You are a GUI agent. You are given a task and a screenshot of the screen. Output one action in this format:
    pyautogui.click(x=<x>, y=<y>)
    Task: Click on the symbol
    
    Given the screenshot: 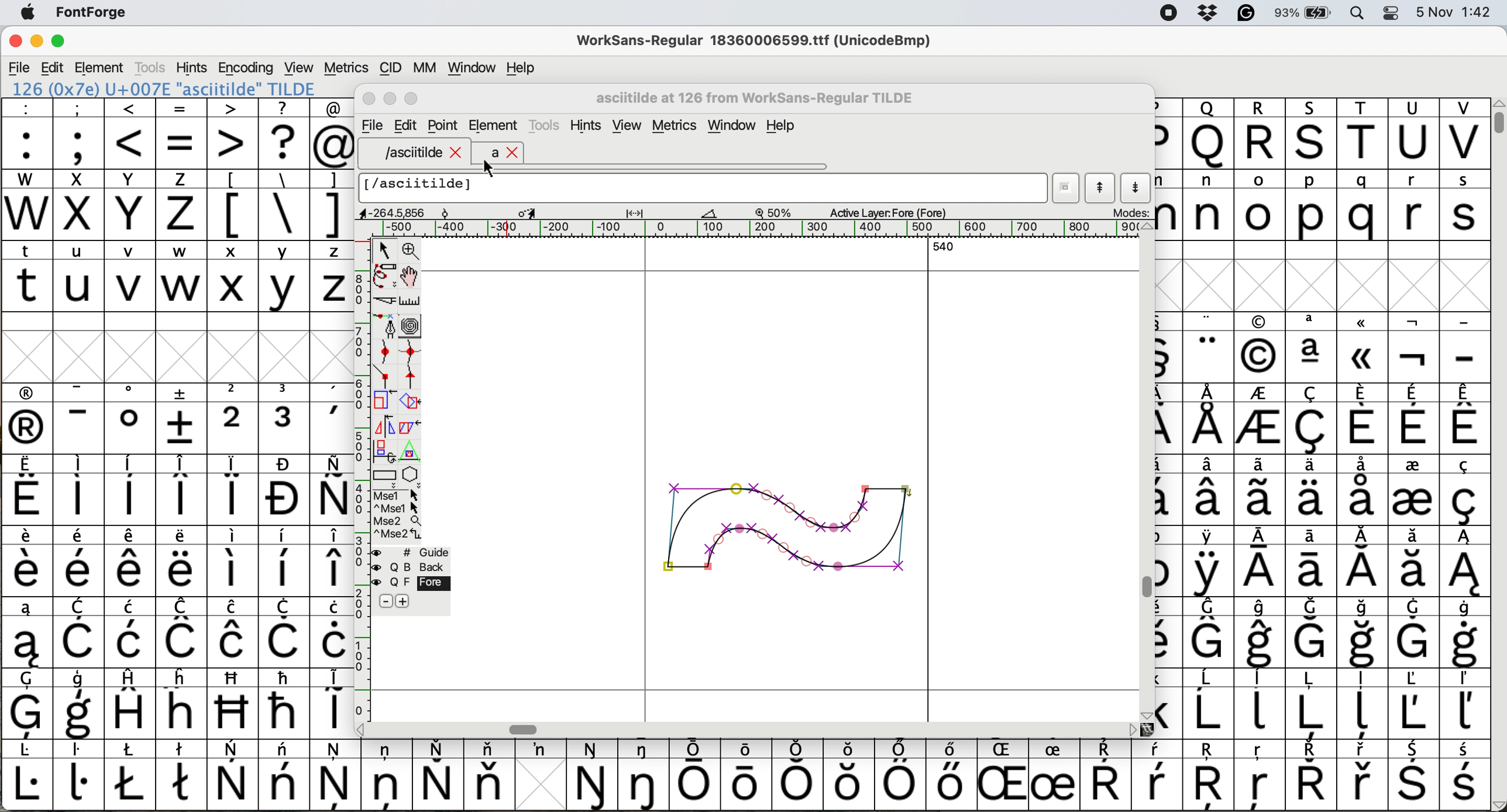 What is the action you would take?
    pyautogui.click(x=1363, y=418)
    